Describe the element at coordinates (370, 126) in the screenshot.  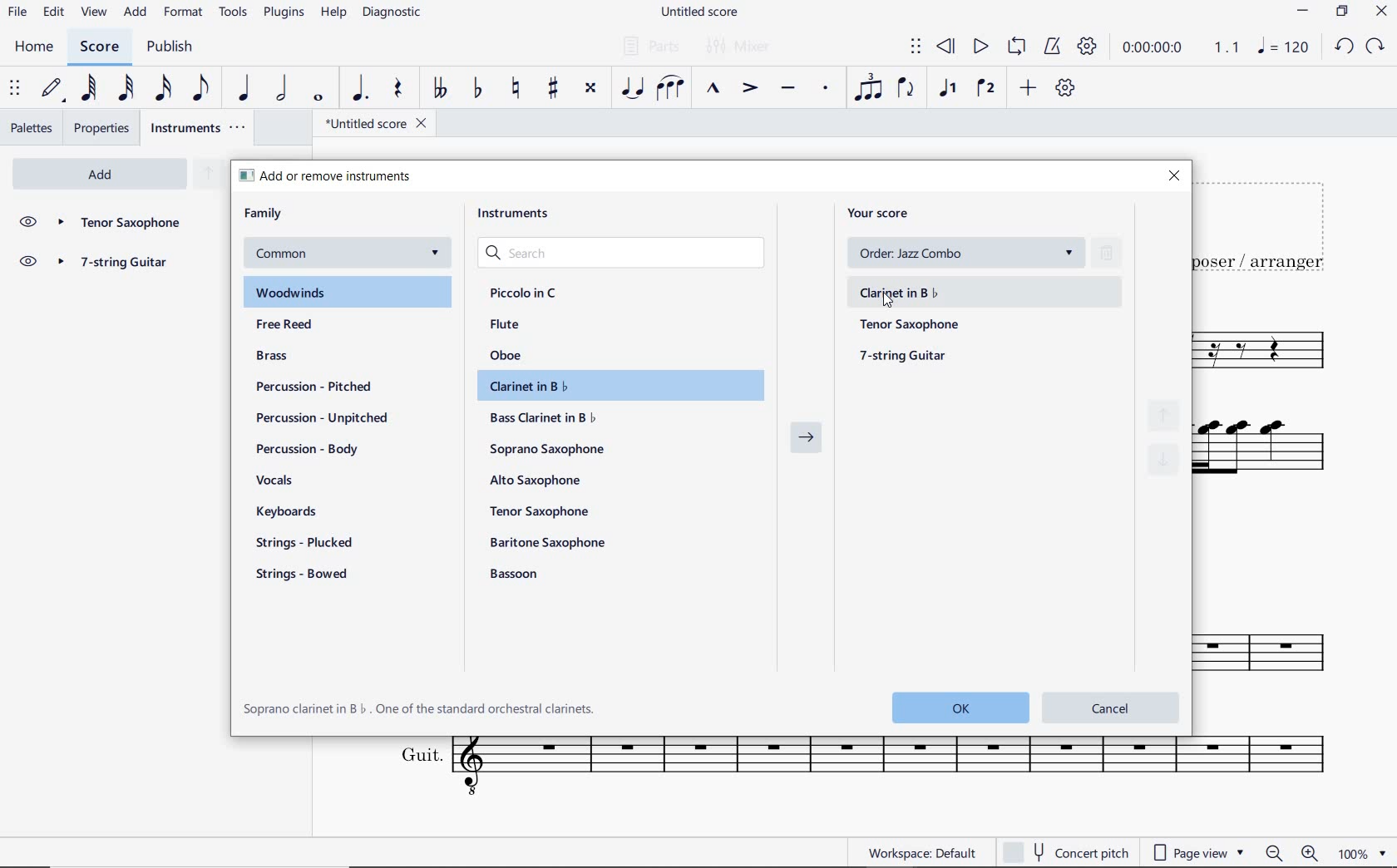
I see `FILE NAME` at that location.